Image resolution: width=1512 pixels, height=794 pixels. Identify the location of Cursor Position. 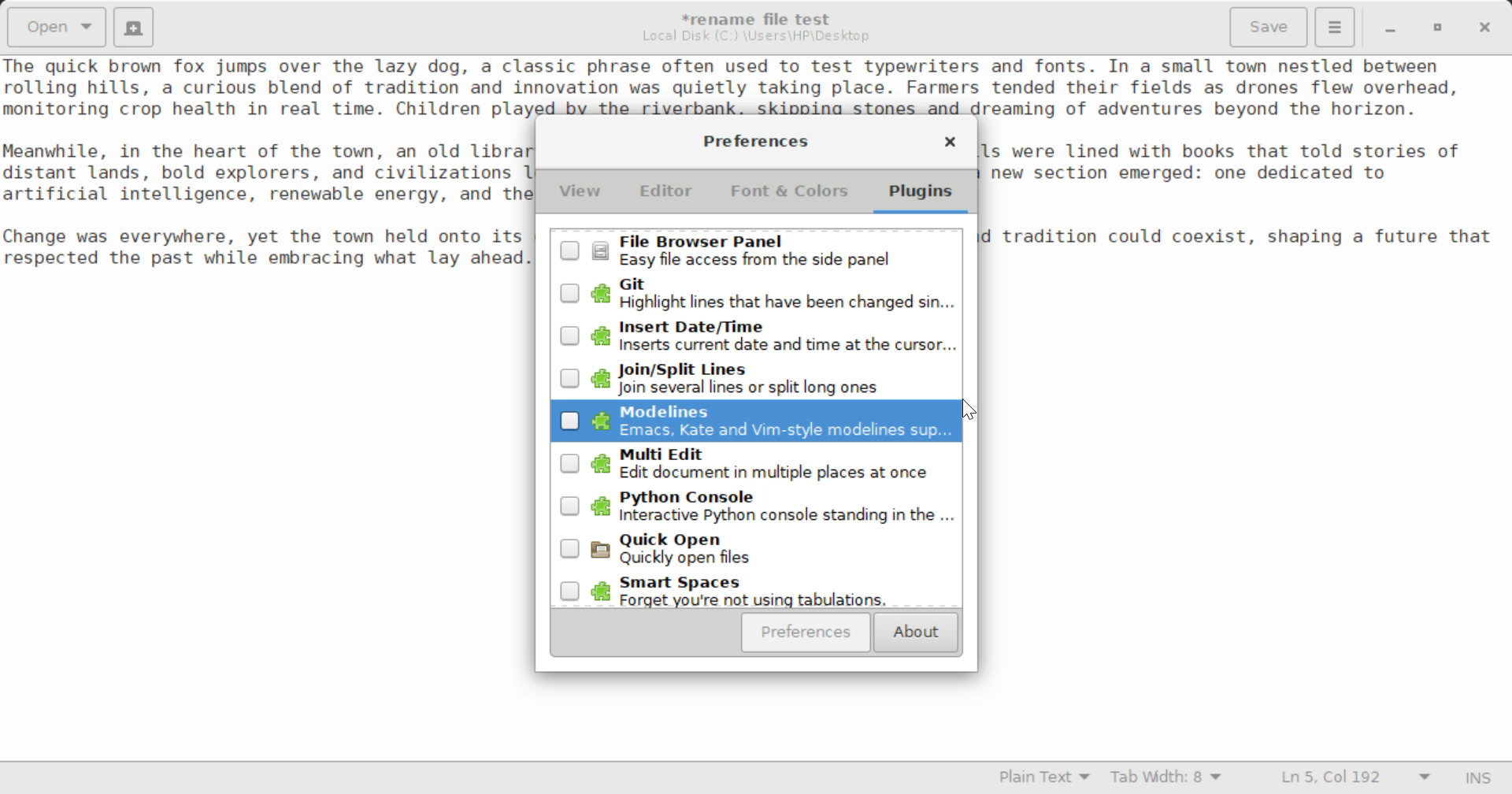
(972, 412).